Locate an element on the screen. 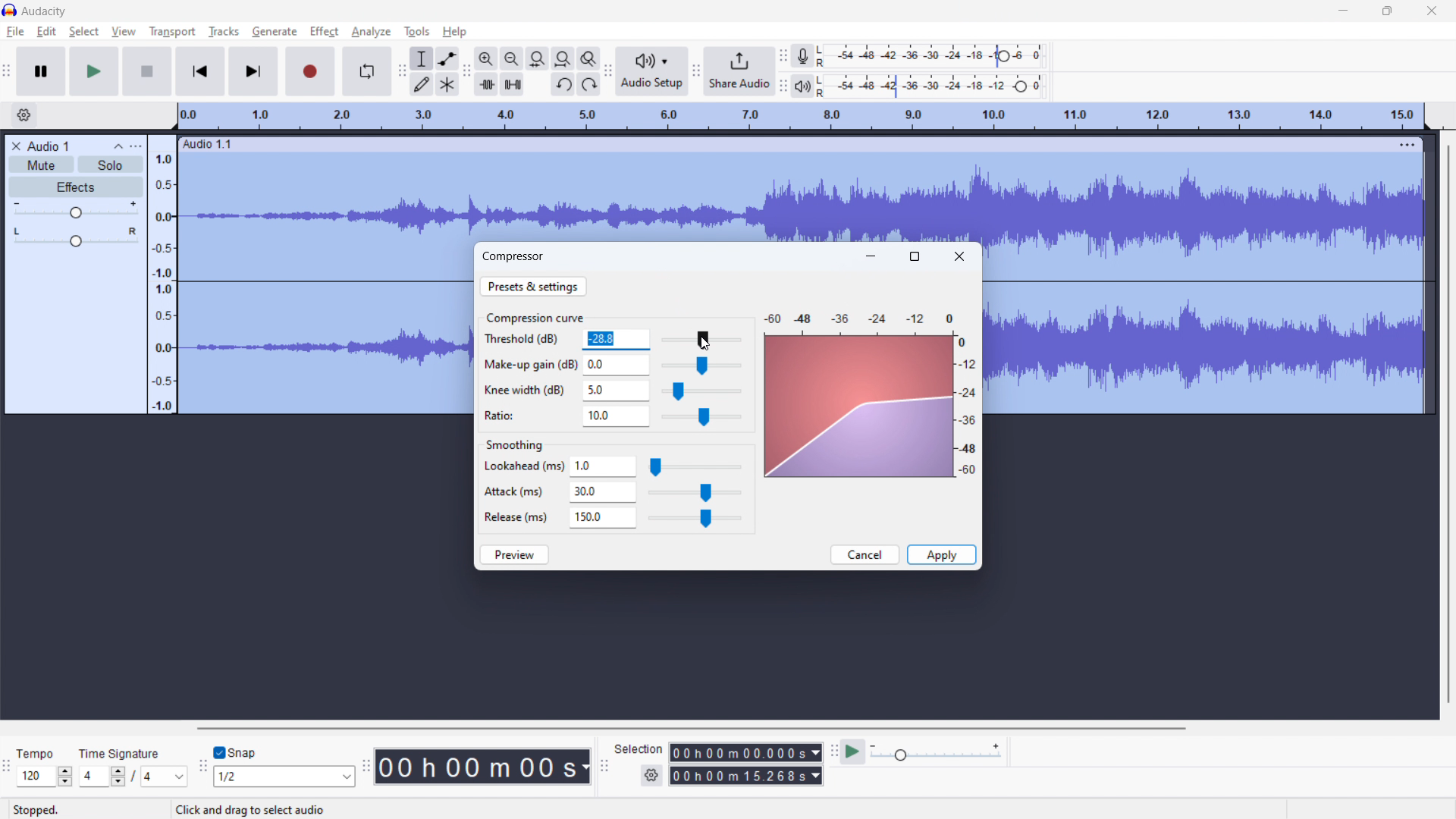  delete audio is located at coordinates (15, 146).